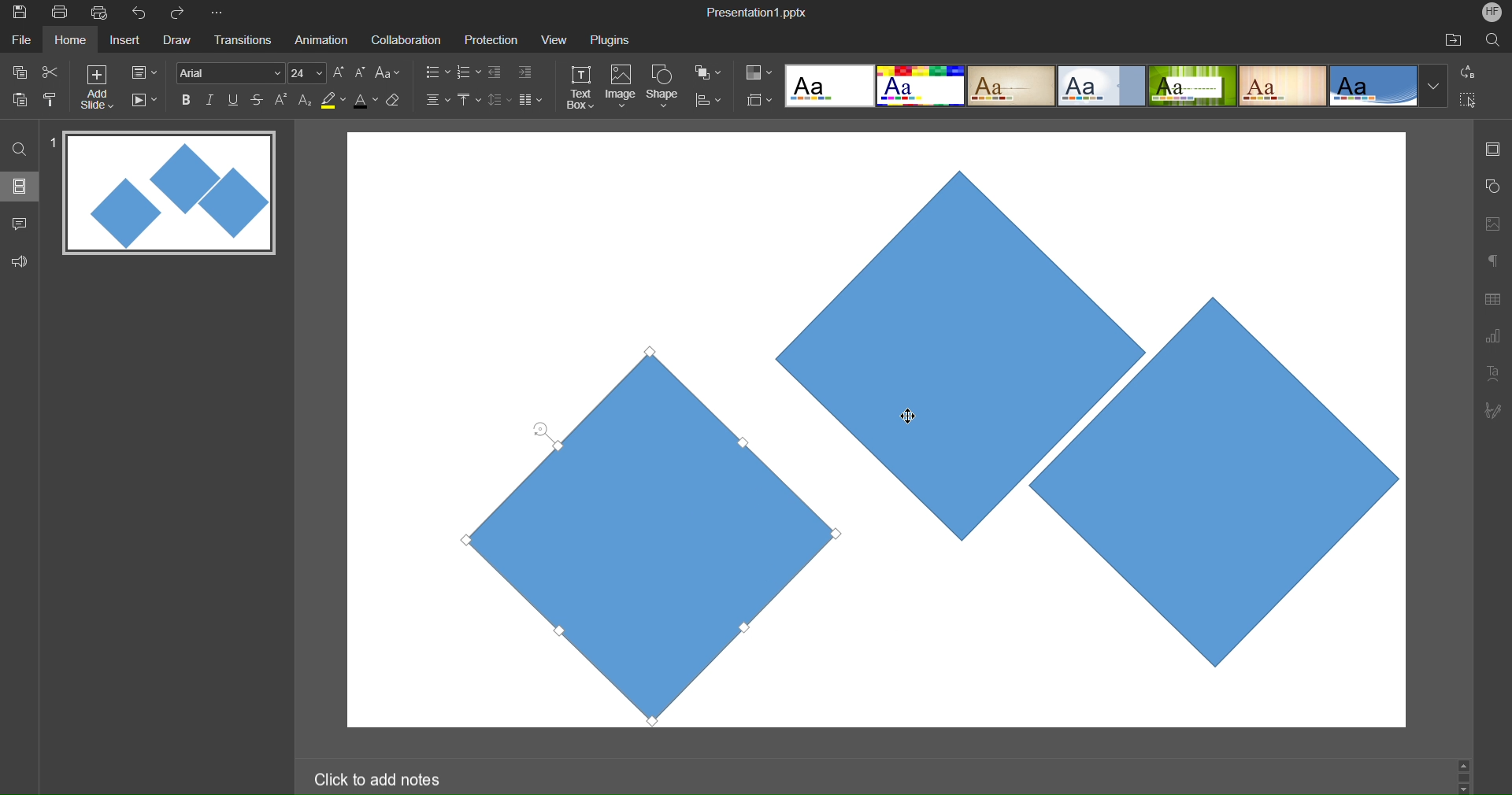 The height and width of the screenshot is (795, 1512). What do you see at coordinates (436, 99) in the screenshot?
I see `Alignment` at bounding box center [436, 99].